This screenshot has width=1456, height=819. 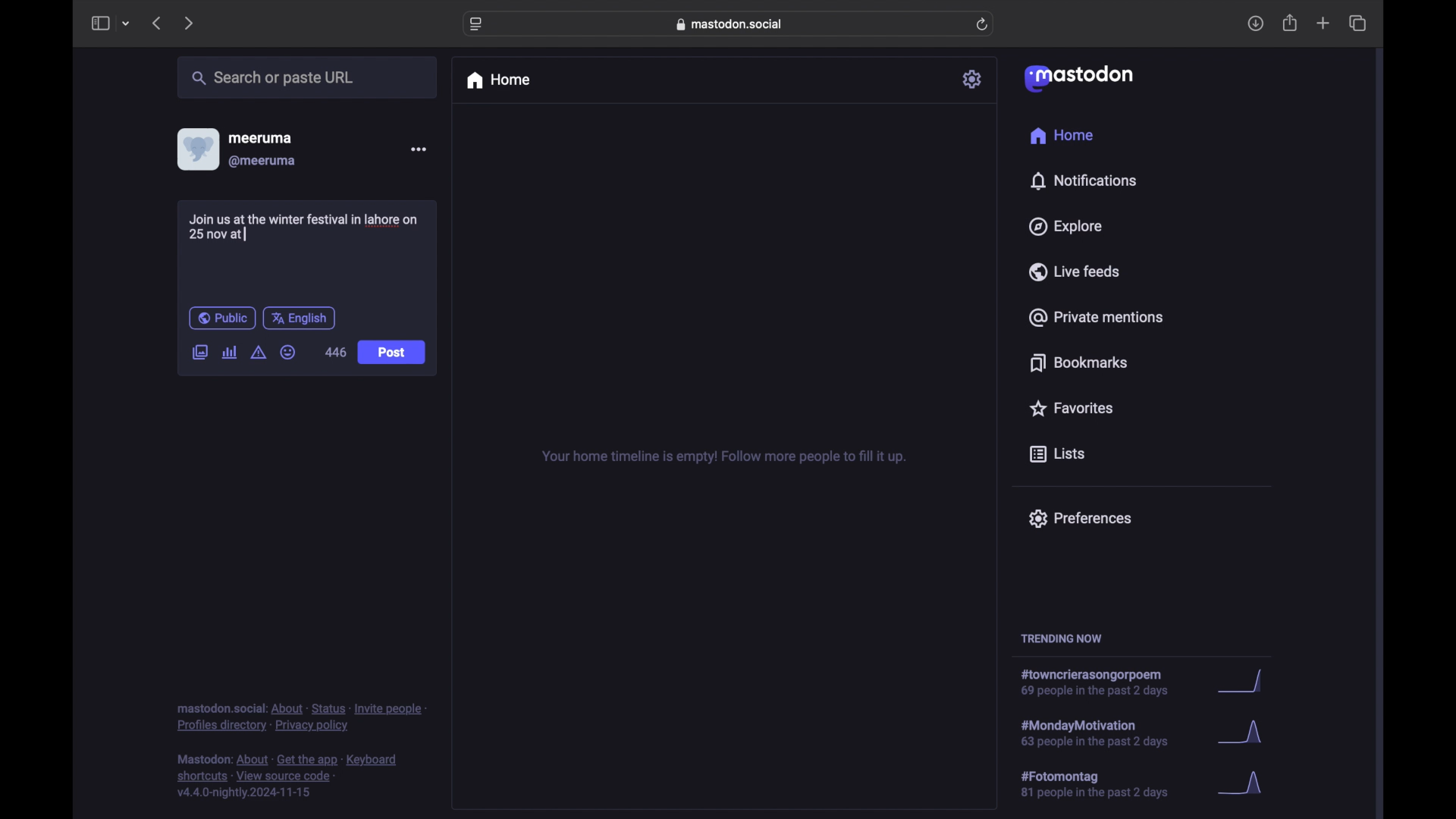 What do you see at coordinates (1079, 517) in the screenshot?
I see `preferences` at bounding box center [1079, 517].